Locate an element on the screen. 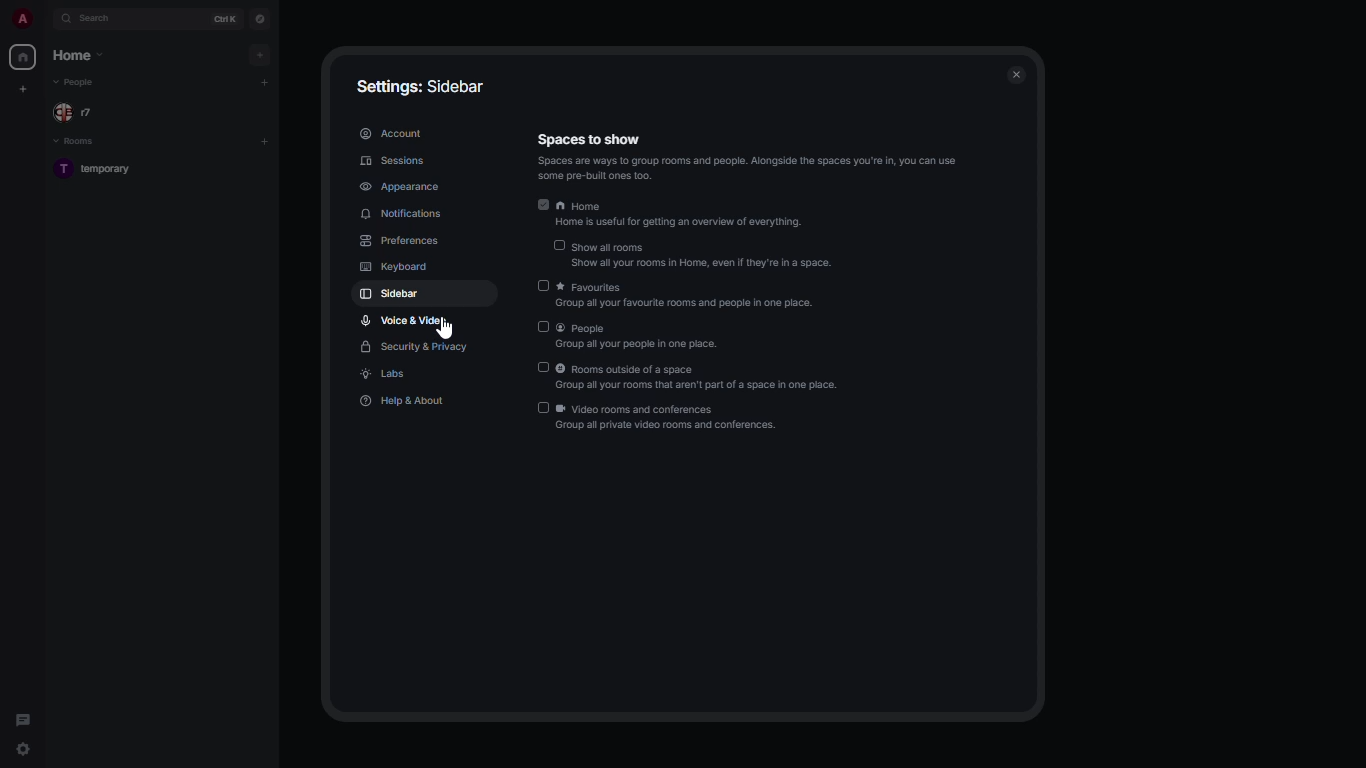 The height and width of the screenshot is (768, 1366). close is located at coordinates (1017, 74).